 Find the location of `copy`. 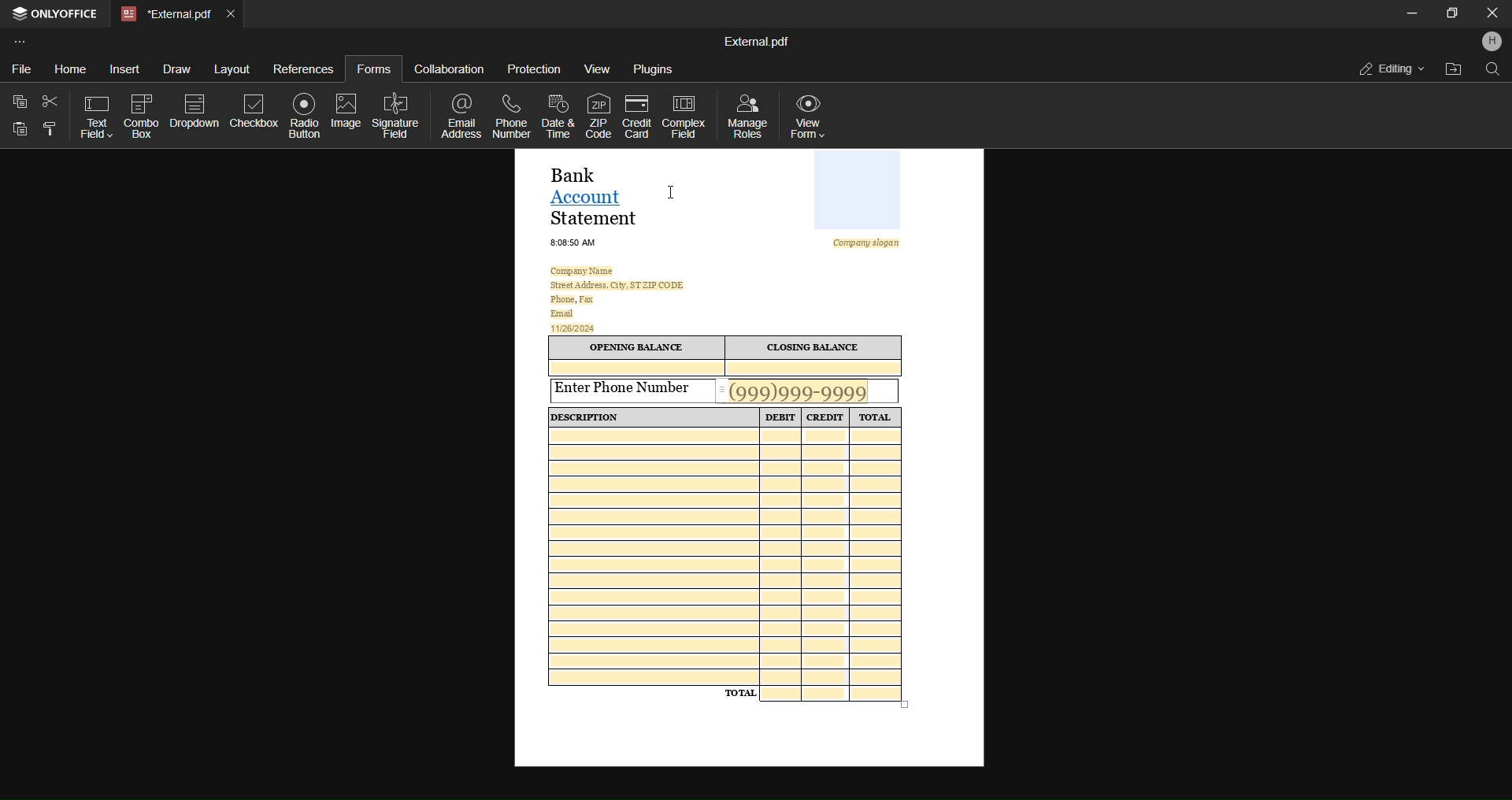

copy is located at coordinates (20, 102).